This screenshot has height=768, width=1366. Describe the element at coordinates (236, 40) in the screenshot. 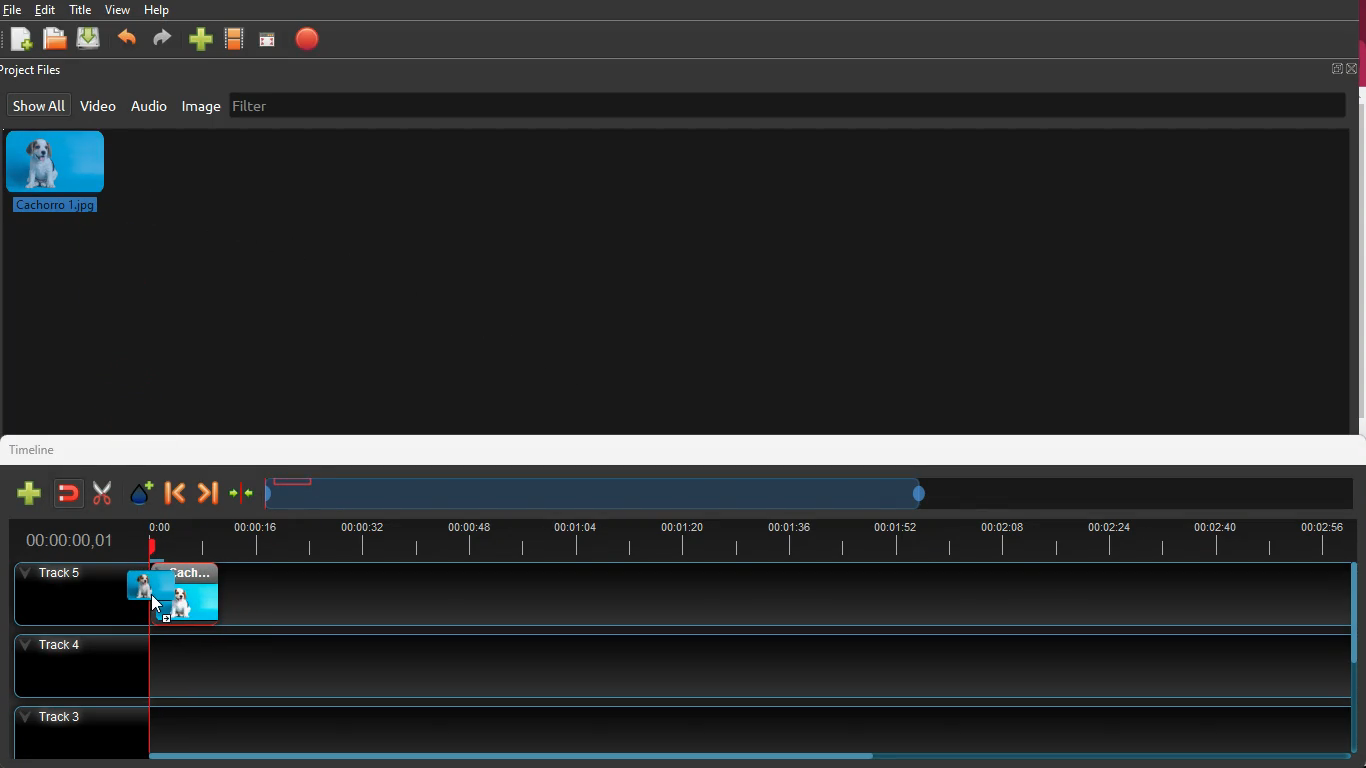

I see `video` at that location.